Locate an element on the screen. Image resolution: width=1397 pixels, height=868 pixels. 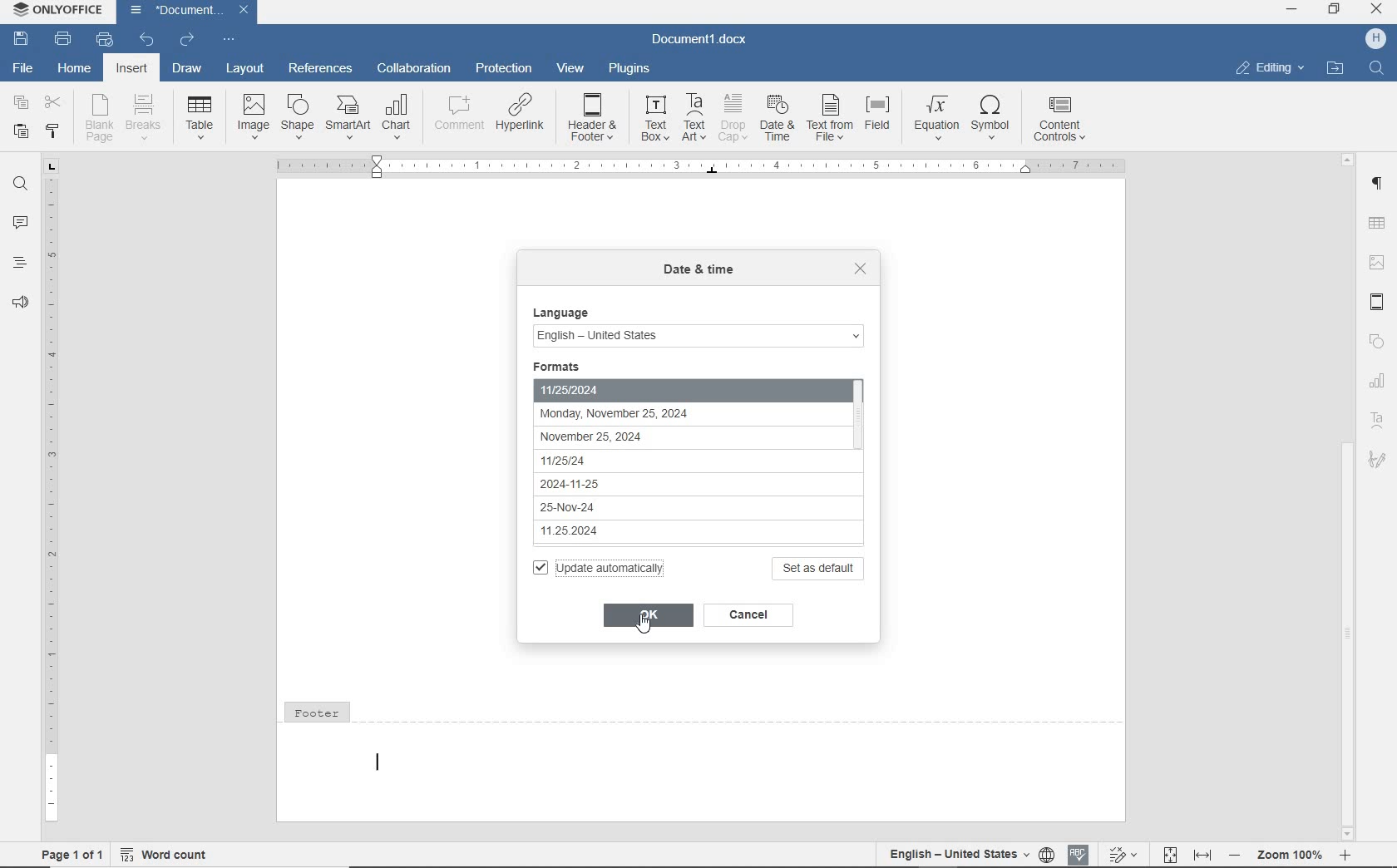
11/25/24 is located at coordinates (637, 457).